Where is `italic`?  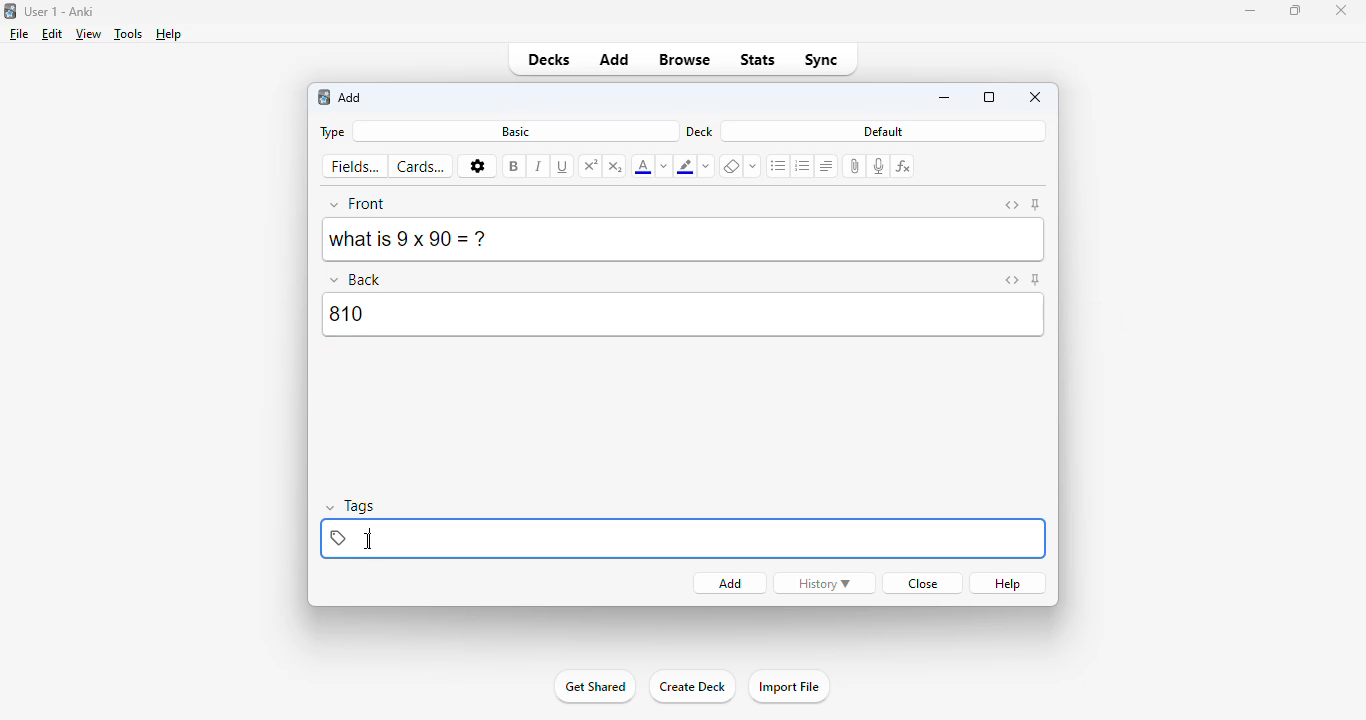 italic is located at coordinates (539, 167).